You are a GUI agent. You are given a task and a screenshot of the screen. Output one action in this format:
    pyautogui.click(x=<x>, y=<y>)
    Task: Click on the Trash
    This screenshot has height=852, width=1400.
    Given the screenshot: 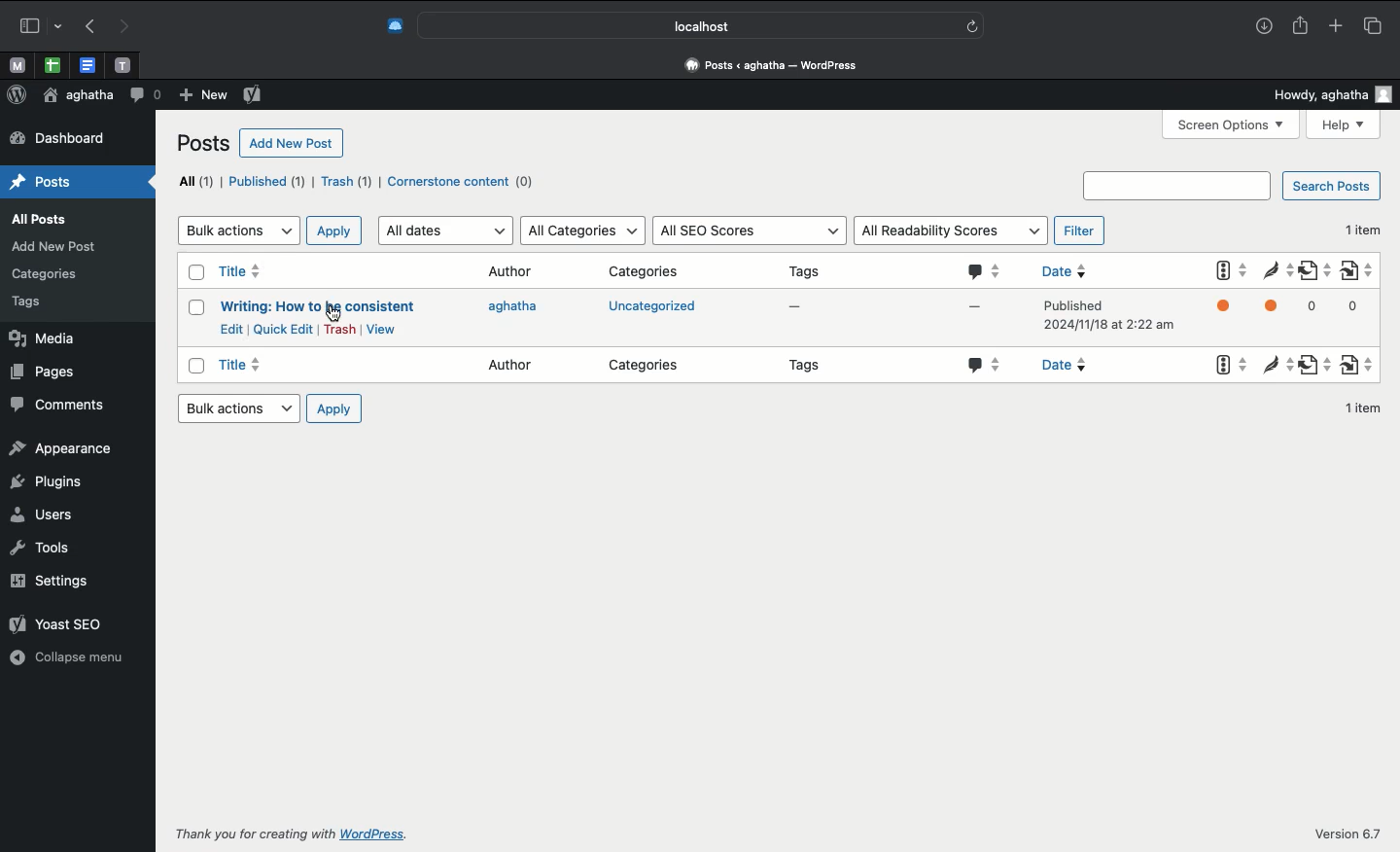 What is the action you would take?
    pyautogui.click(x=339, y=330)
    